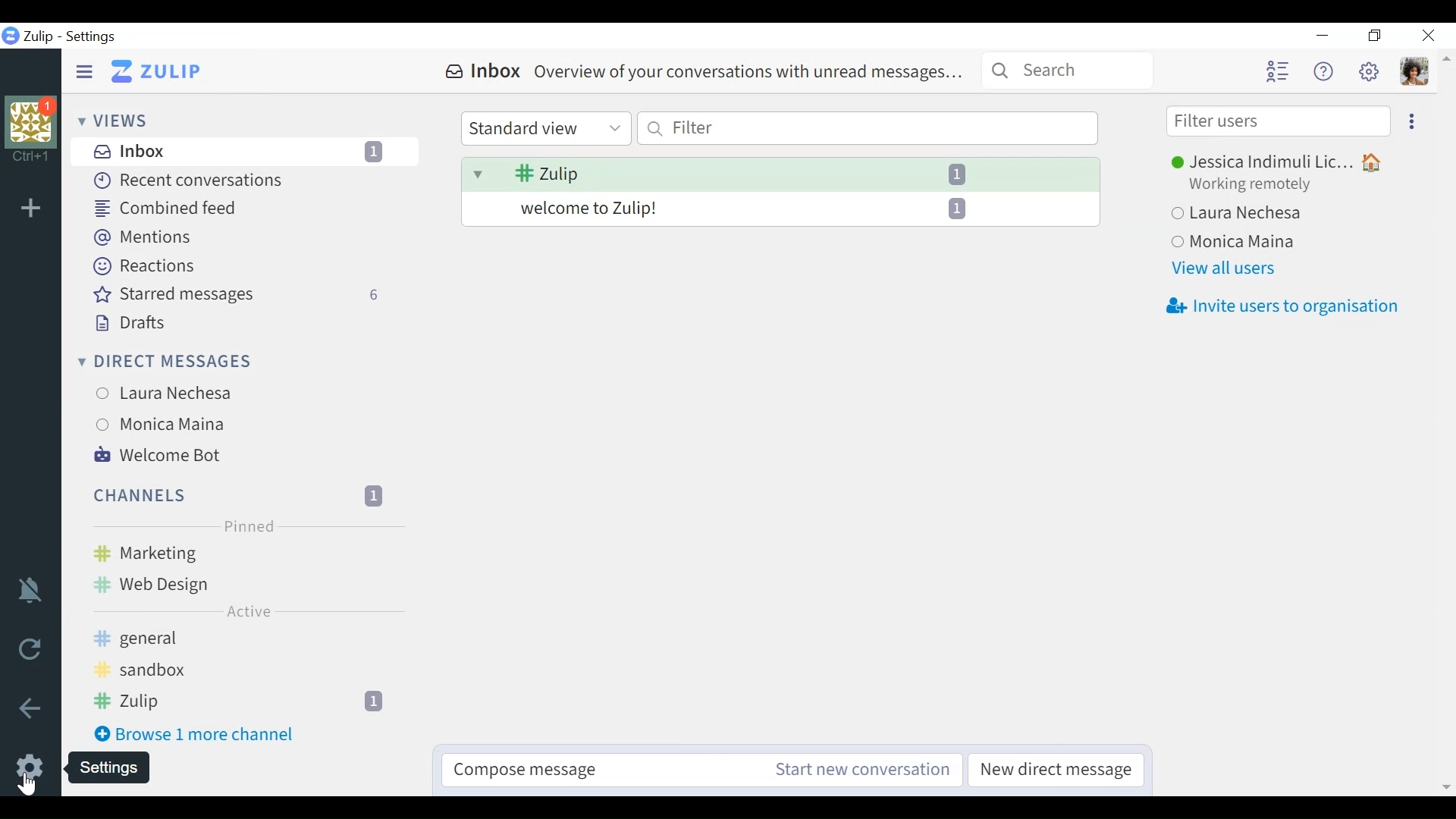  What do you see at coordinates (169, 209) in the screenshot?
I see `Combined Feed` at bounding box center [169, 209].